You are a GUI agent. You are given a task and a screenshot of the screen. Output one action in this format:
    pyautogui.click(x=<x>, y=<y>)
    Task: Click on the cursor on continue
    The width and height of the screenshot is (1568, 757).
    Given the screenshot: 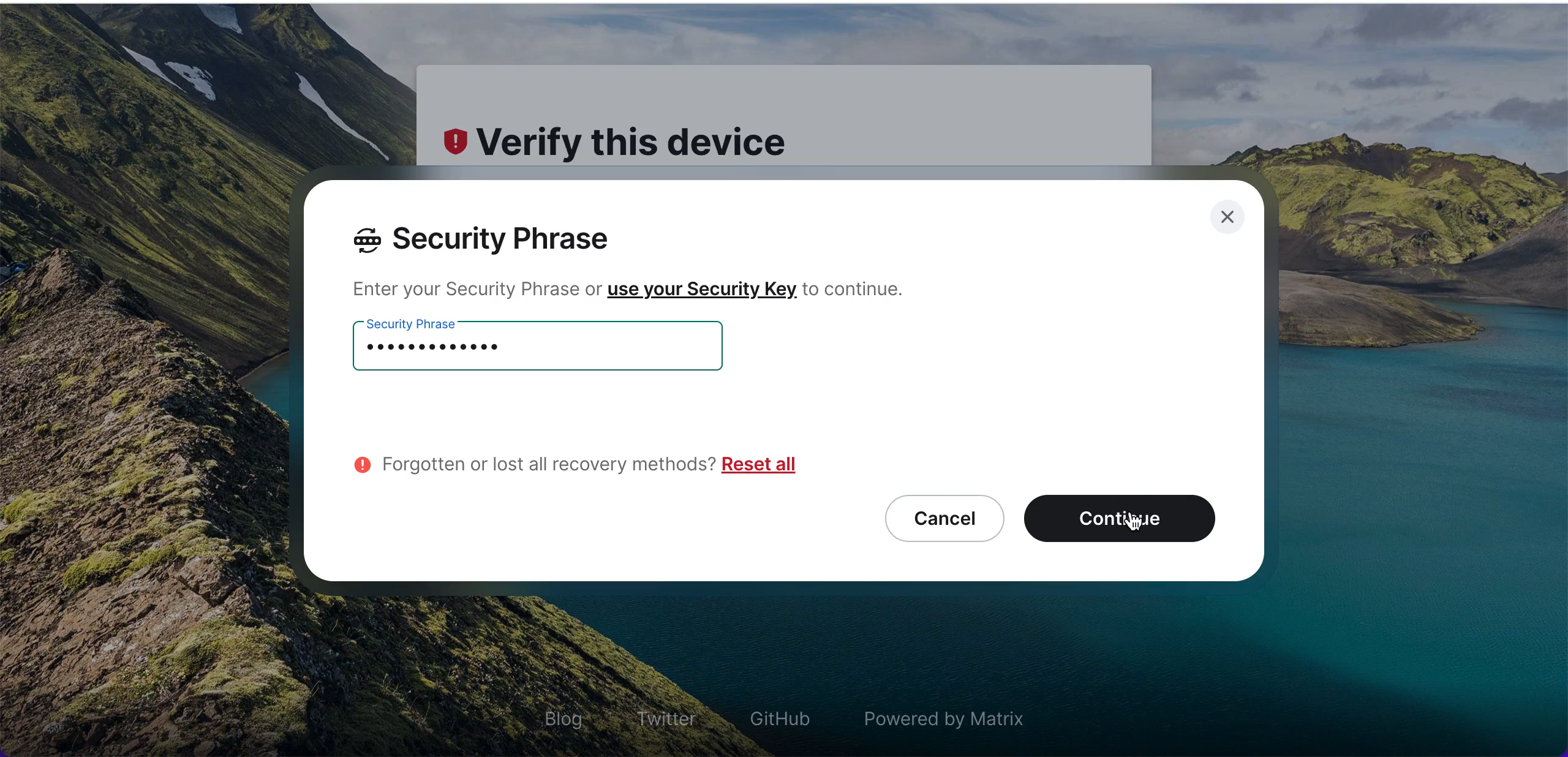 What is the action you would take?
    pyautogui.click(x=1139, y=527)
    